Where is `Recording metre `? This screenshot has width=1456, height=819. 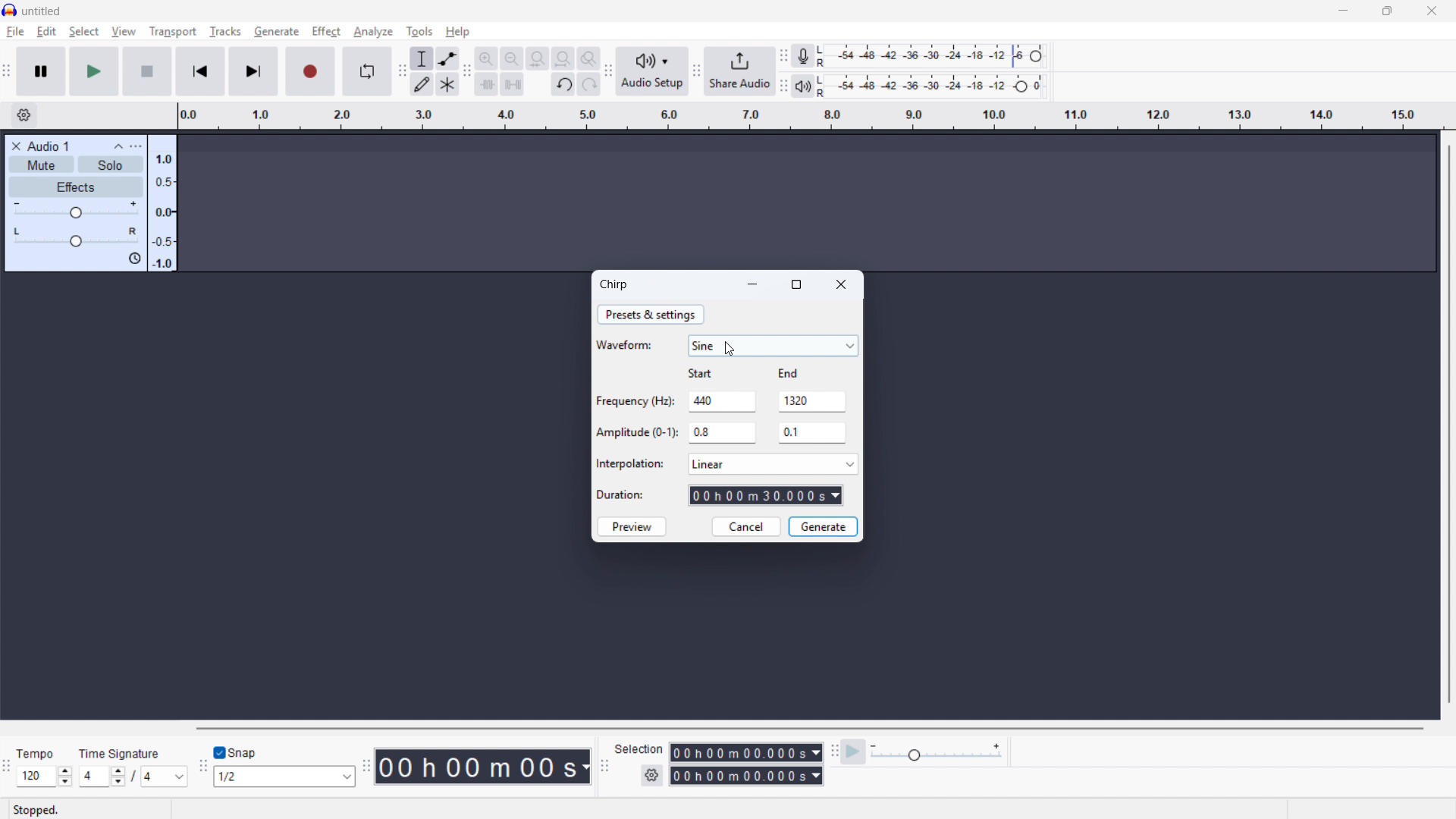 Recording metre  is located at coordinates (802, 55).